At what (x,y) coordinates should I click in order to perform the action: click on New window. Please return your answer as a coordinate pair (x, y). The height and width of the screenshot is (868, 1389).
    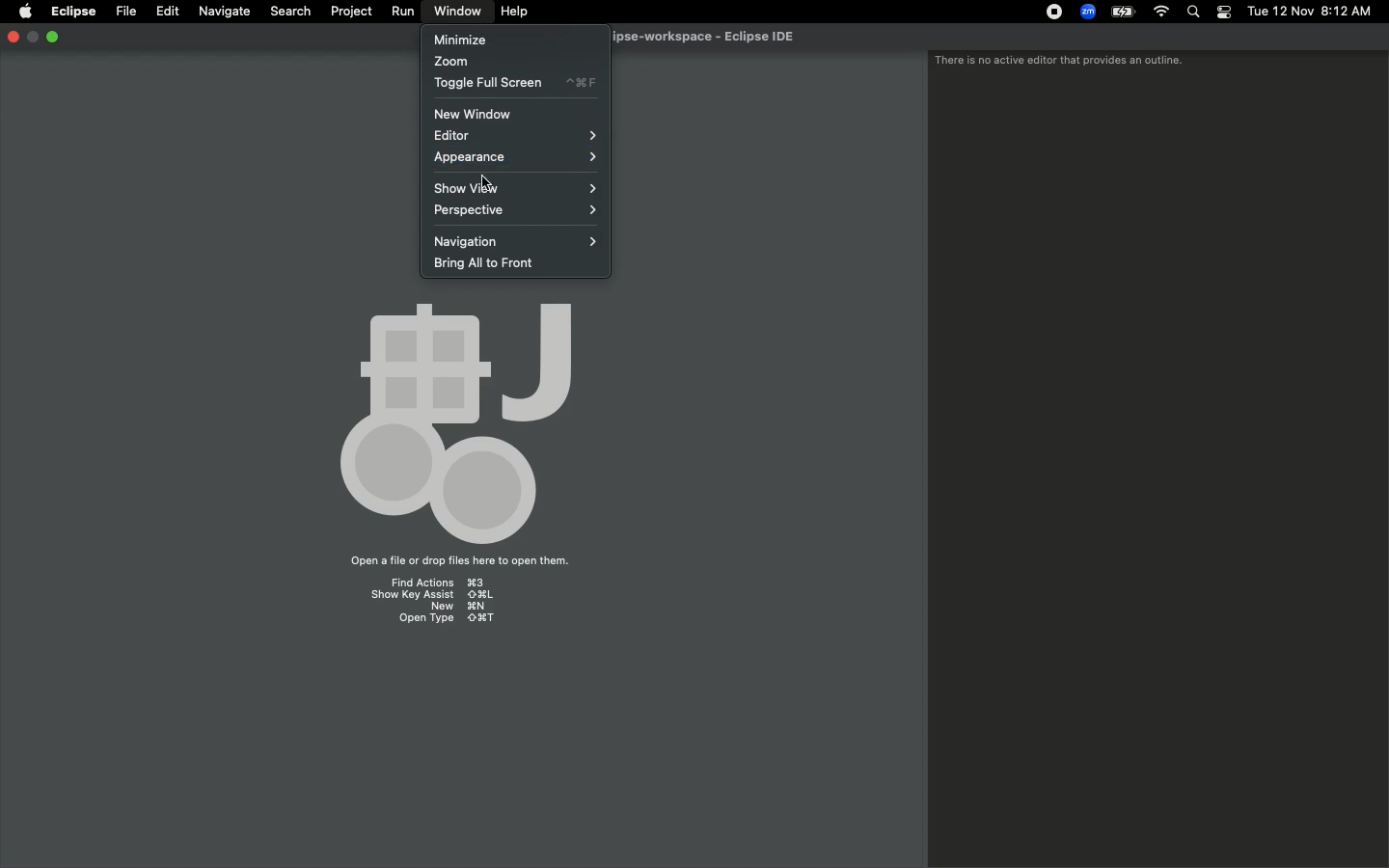
    Looking at the image, I should click on (483, 114).